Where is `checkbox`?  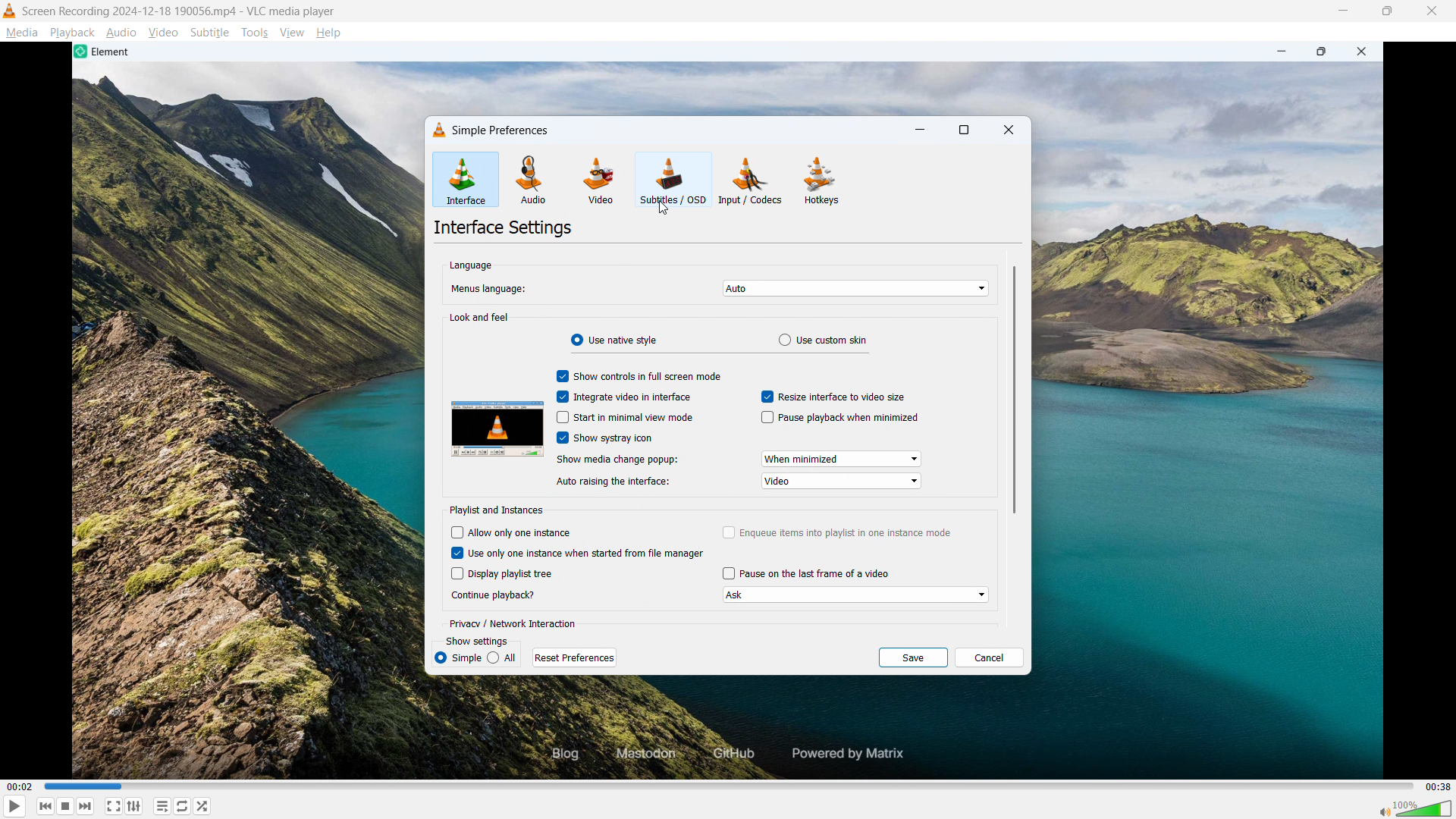
checkbox is located at coordinates (559, 377).